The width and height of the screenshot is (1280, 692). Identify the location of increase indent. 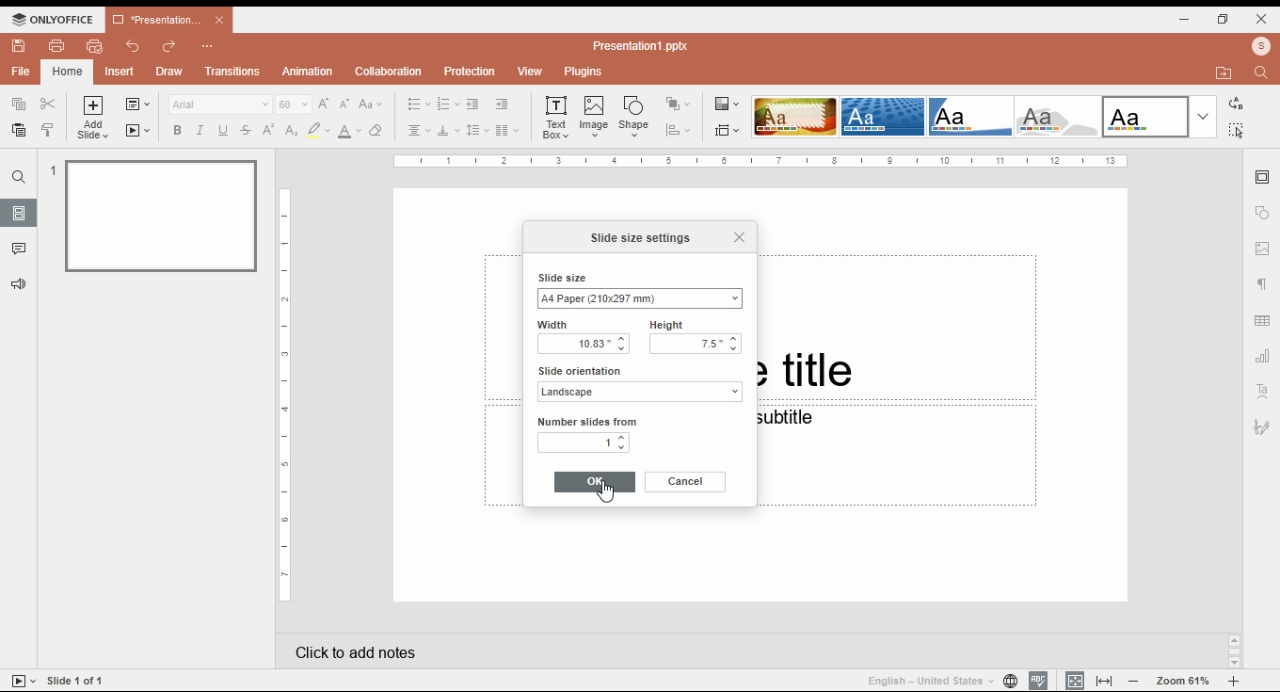
(501, 104).